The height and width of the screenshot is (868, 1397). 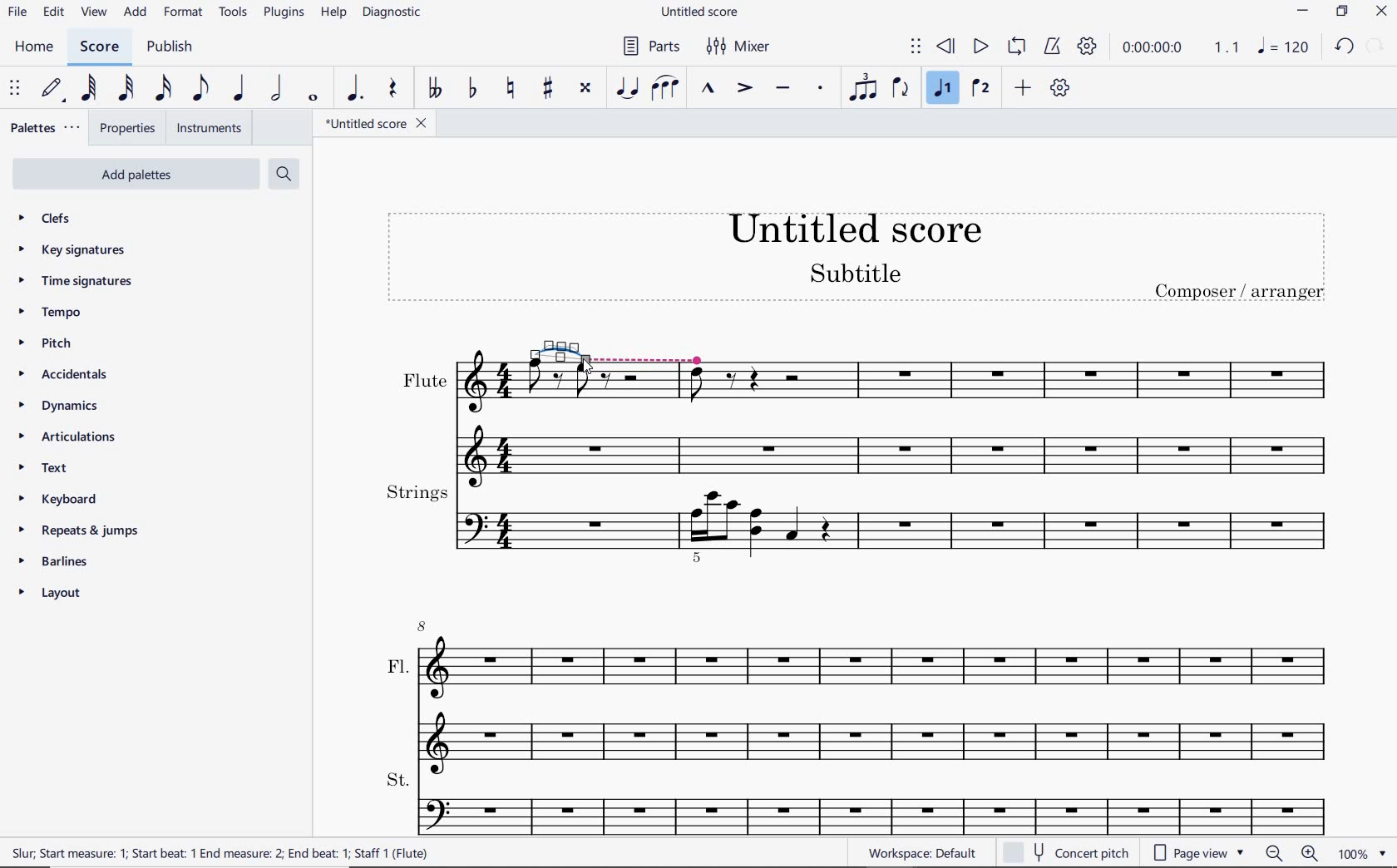 I want to click on DEFAULT (STEP TIME), so click(x=55, y=88).